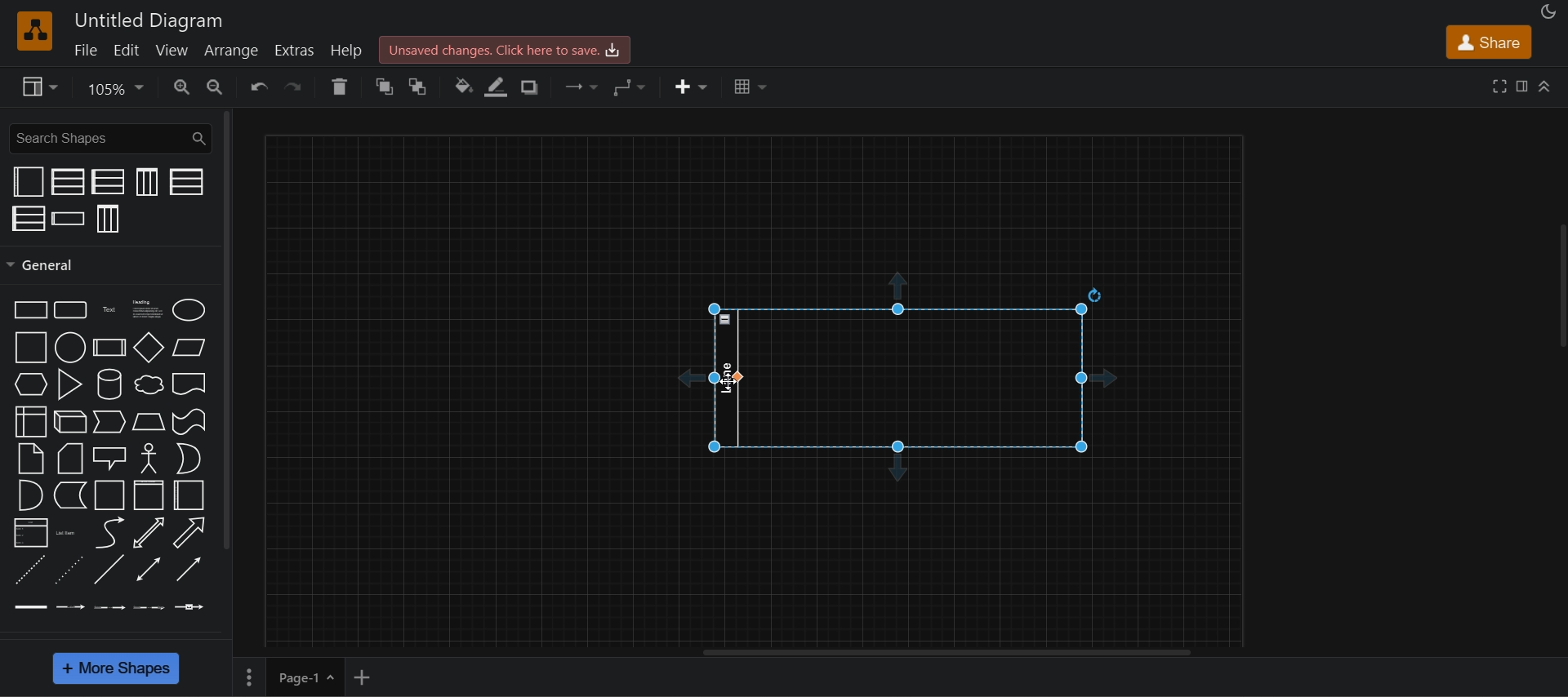 The width and height of the screenshot is (1568, 697). I want to click on appearance, so click(1546, 11).